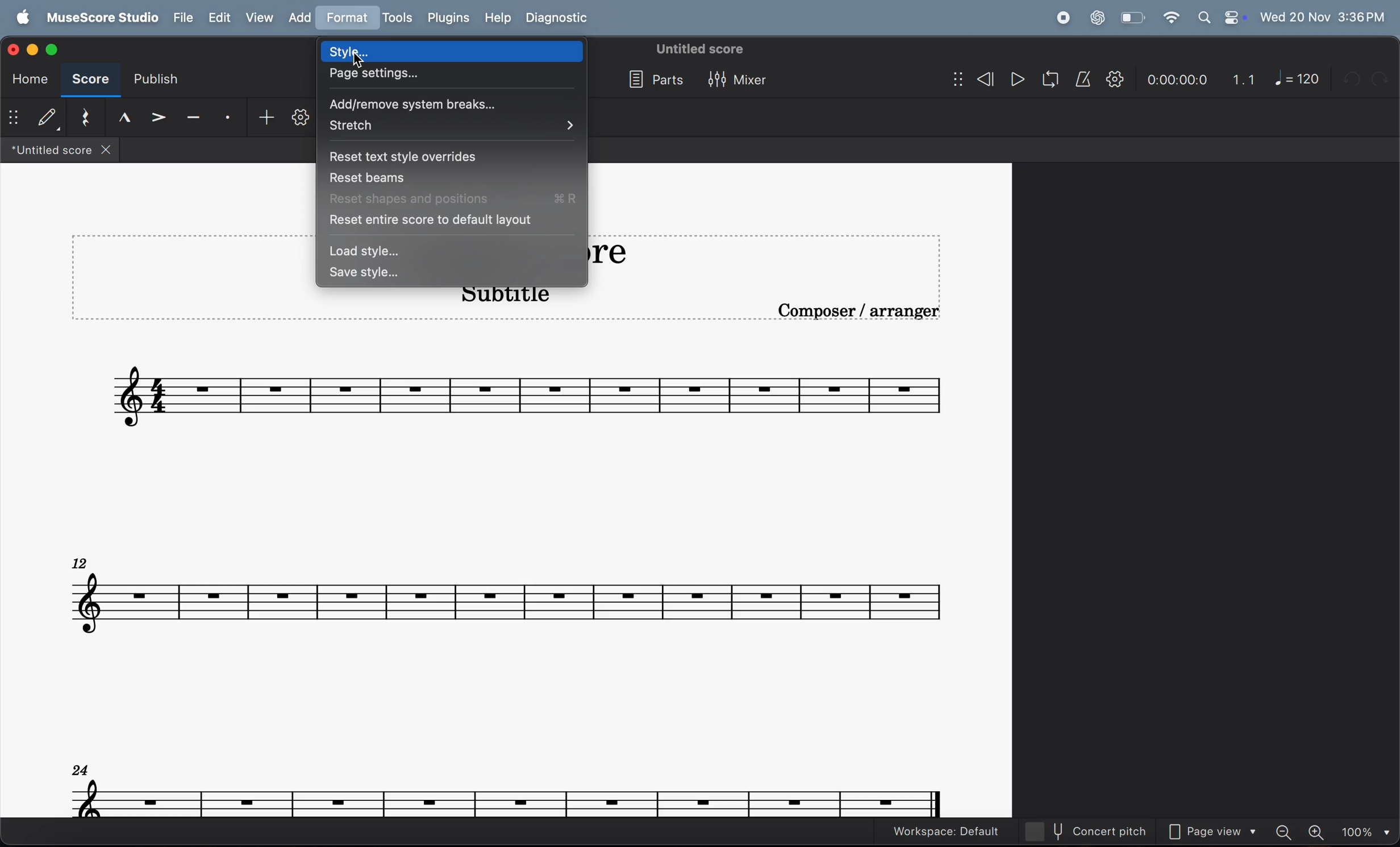 Image resolution: width=1400 pixels, height=847 pixels. What do you see at coordinates (194, 119) in the screenshot?
I see `hifen` at bounding box center [194, 119].